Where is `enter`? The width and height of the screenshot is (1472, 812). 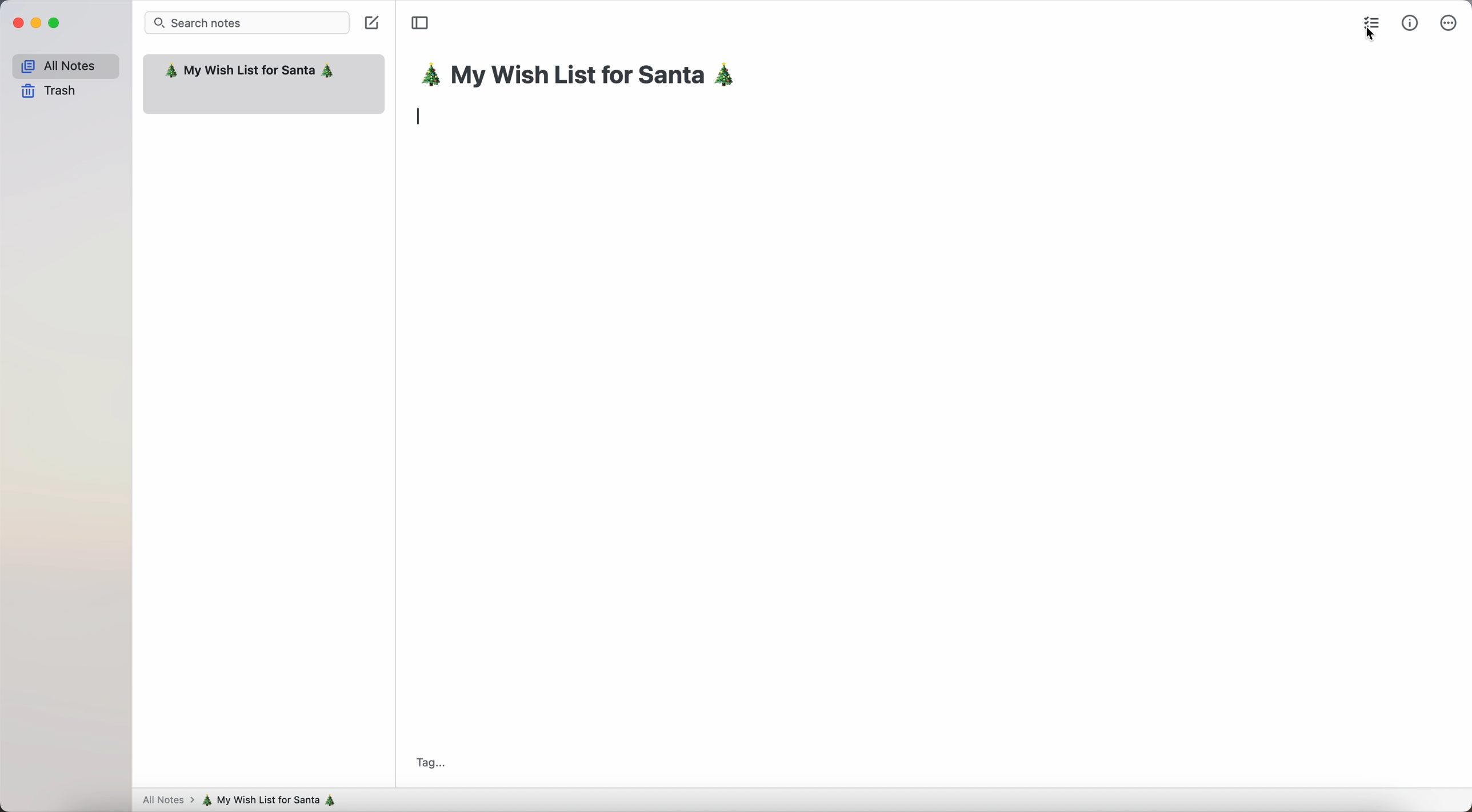
enter is located at coordinates (422, 118).